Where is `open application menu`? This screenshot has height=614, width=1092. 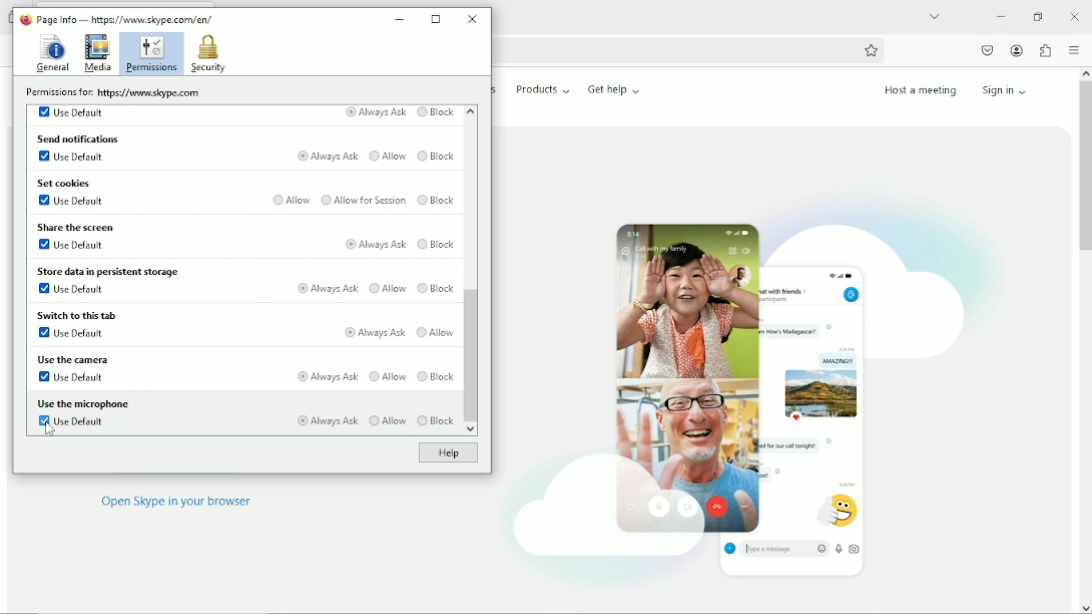 open application menu is located at coordinates (1073, 51).